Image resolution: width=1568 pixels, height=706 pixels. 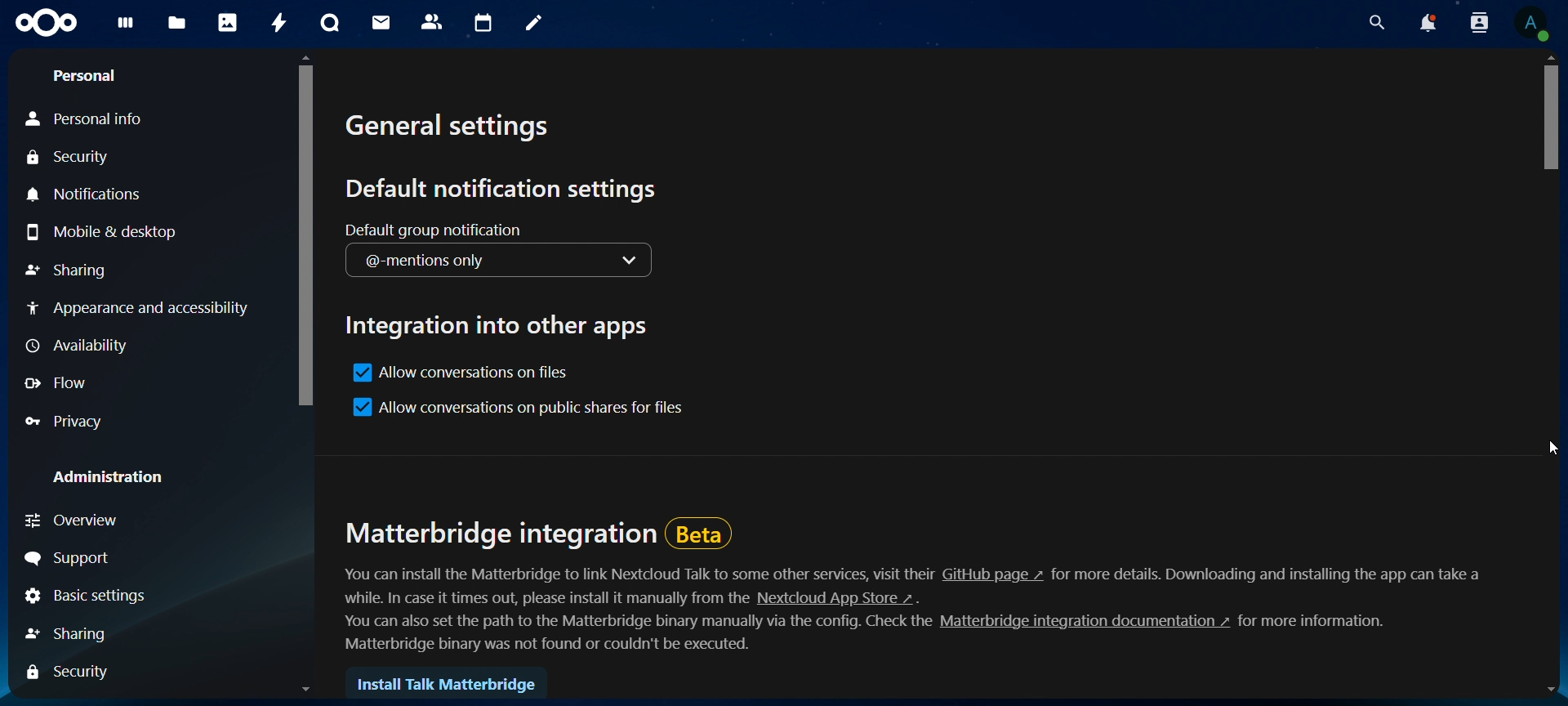 What do you see at coordinates (47, 24) in the screenshot?
I see `icon` at bounding box center [47, 24].